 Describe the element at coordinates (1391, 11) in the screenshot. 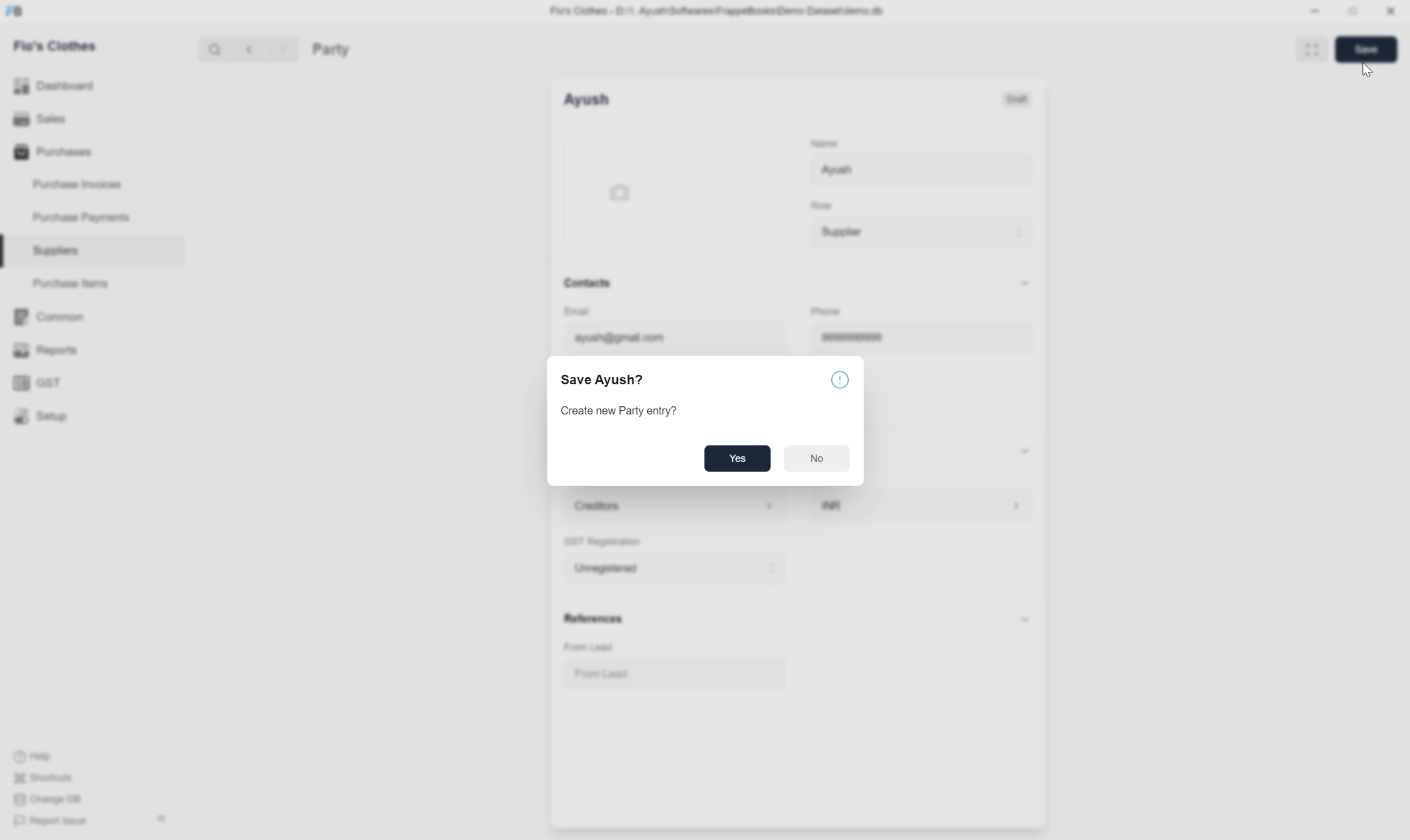

I see `Close` at that location.